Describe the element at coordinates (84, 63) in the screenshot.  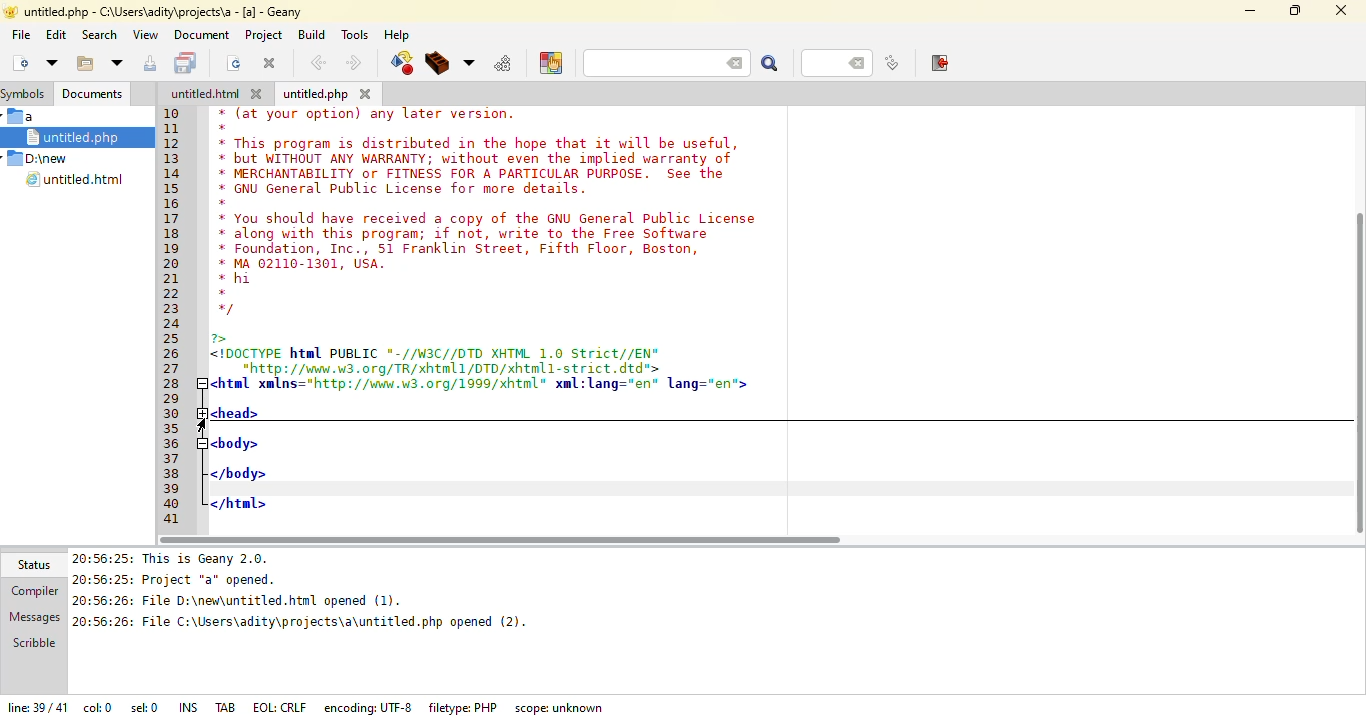
I see `open` at that location.